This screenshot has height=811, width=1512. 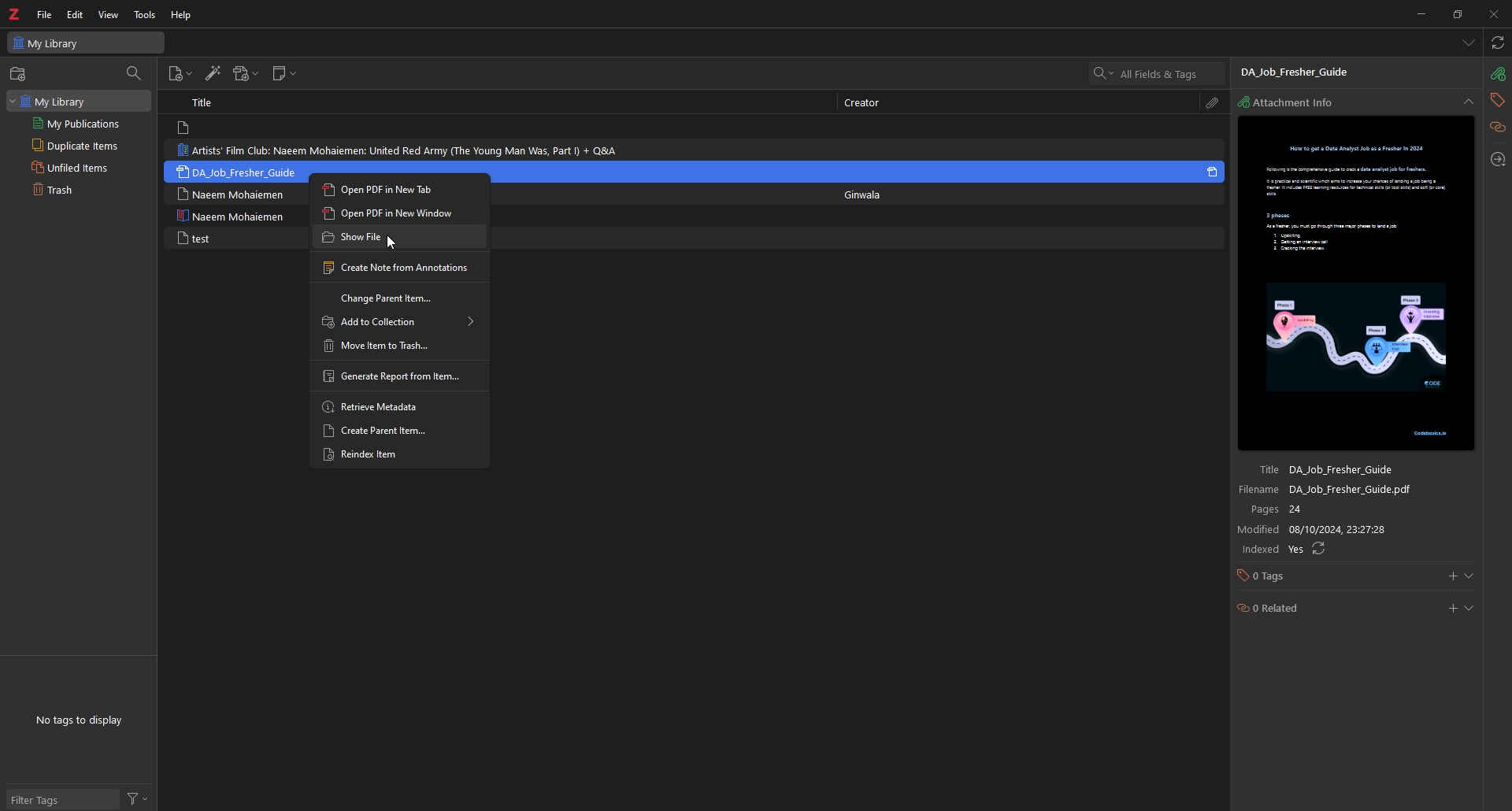 I want to click on resize, so click(x=1458, y=13).